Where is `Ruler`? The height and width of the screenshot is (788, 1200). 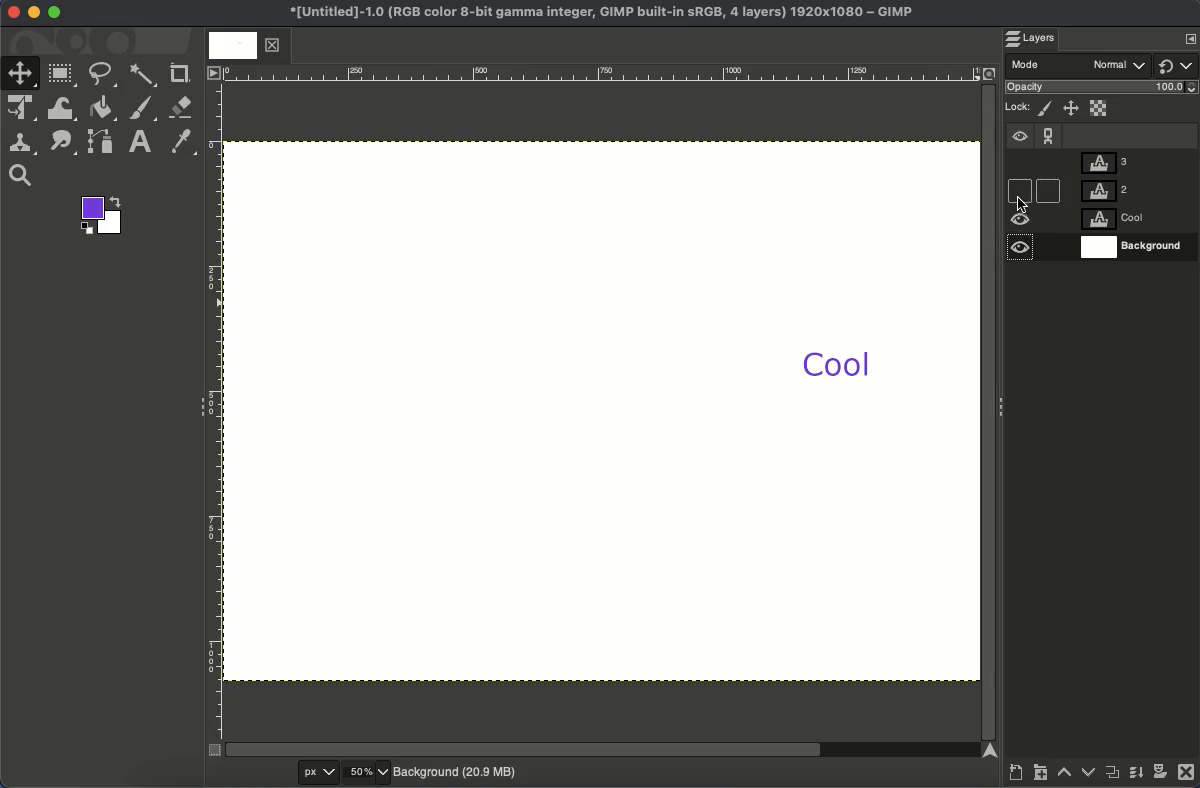 Ruler is located at coordinates (214, 412).